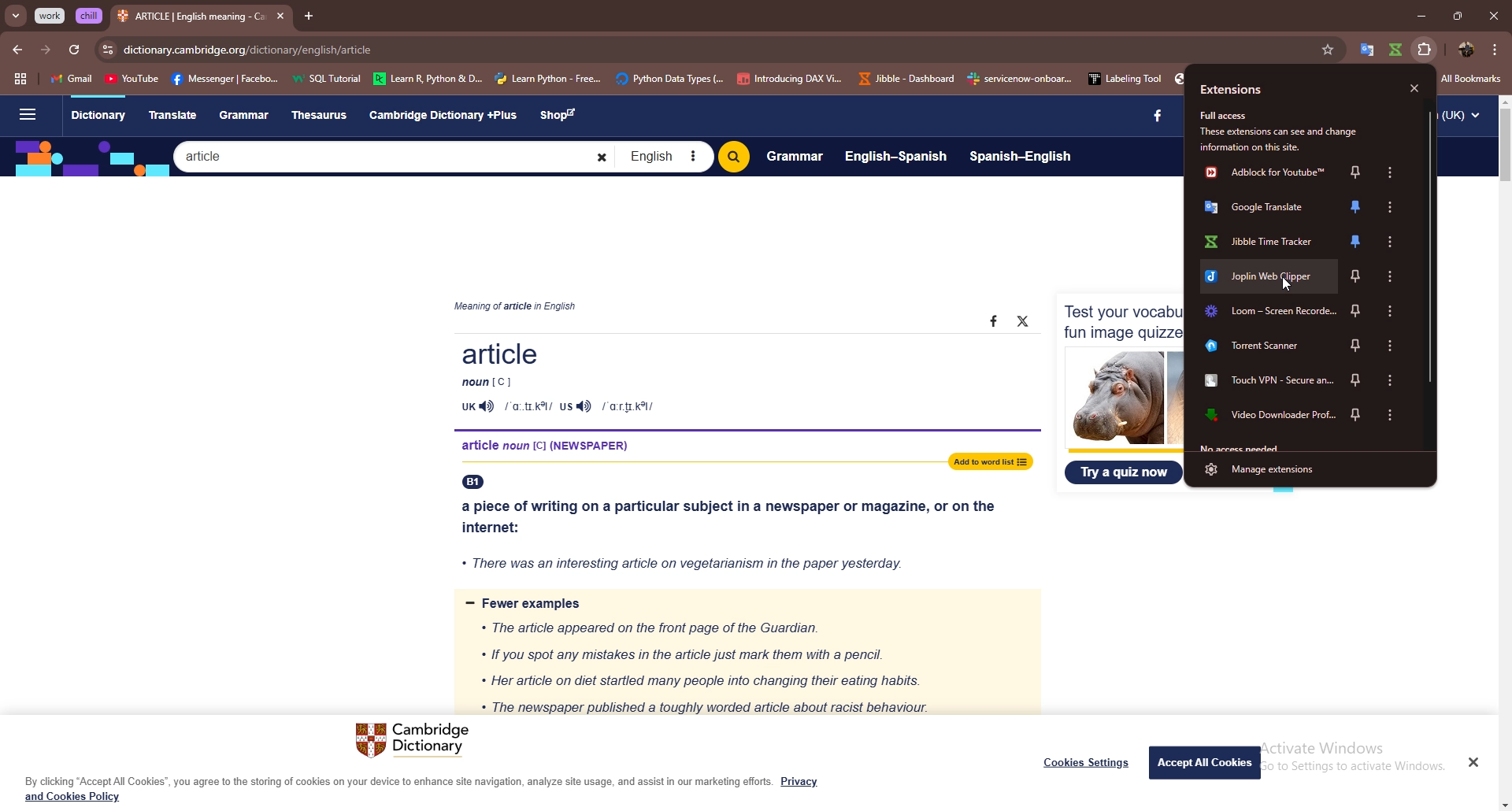 The image size is (1512, 811). What do you see at coordinates (1267, 240) in the screenshot?
I see `extension` at bounding box center [1267, 240].